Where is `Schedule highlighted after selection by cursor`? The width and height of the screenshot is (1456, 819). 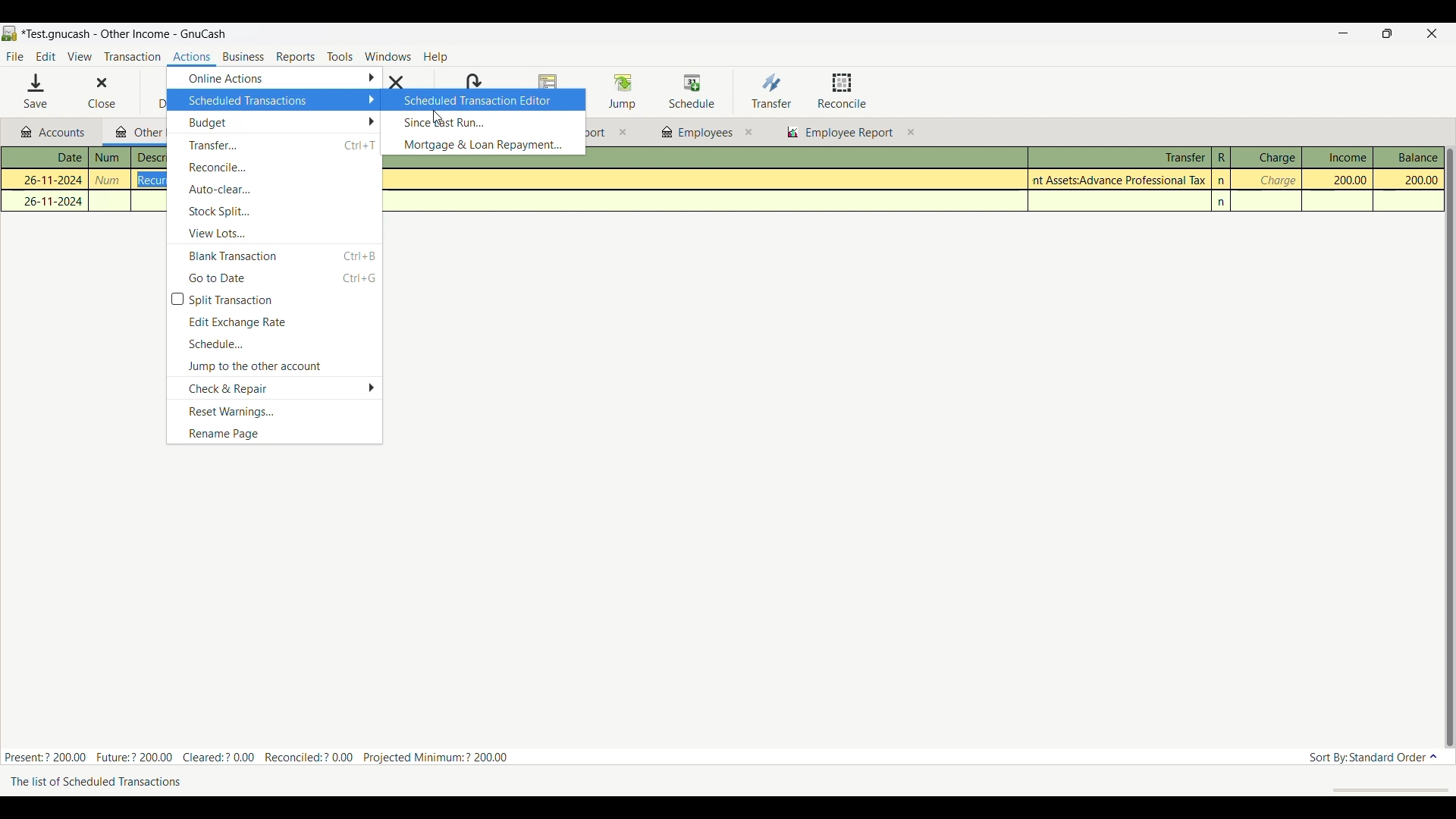 Schedule highlighted after selection by cursor is located at coordinates (692, 93).